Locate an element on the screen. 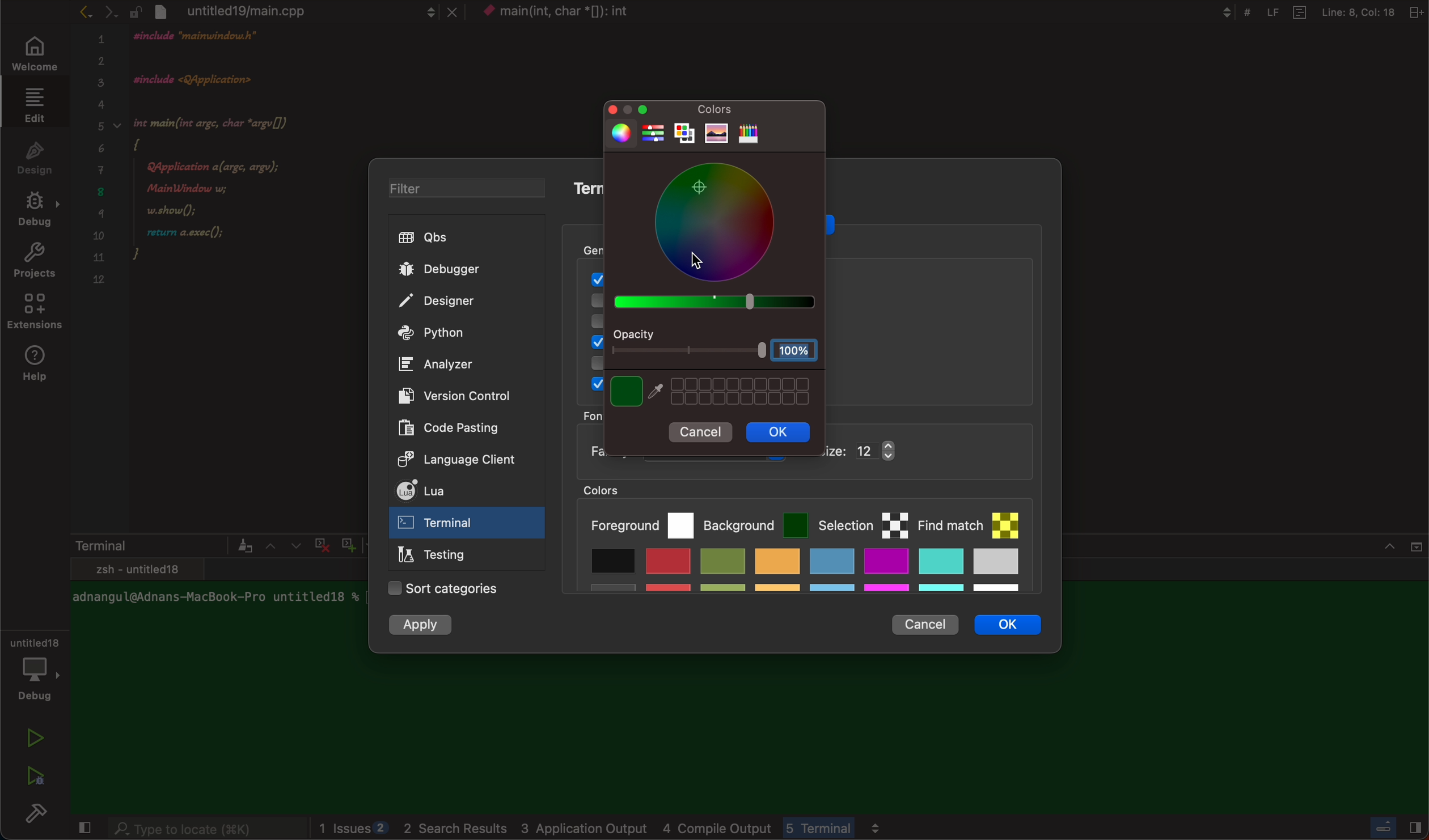 This screenshot has height=840, width=1429. sort categories is located at coordinates (445, 589).